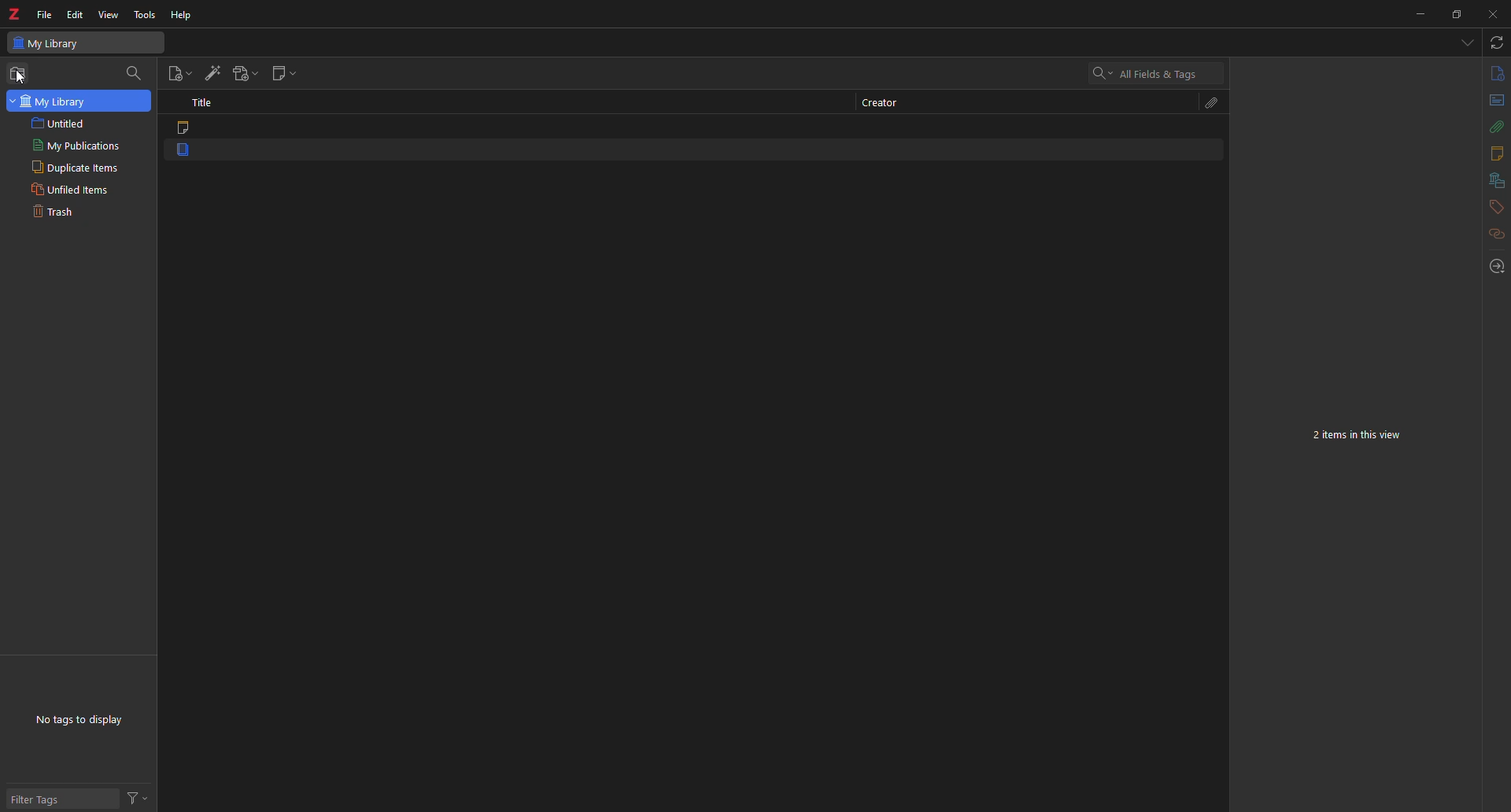  What do you see at coordinates (185, 13) in the screenshot?
I see `help` at bounding box center [185, 13].